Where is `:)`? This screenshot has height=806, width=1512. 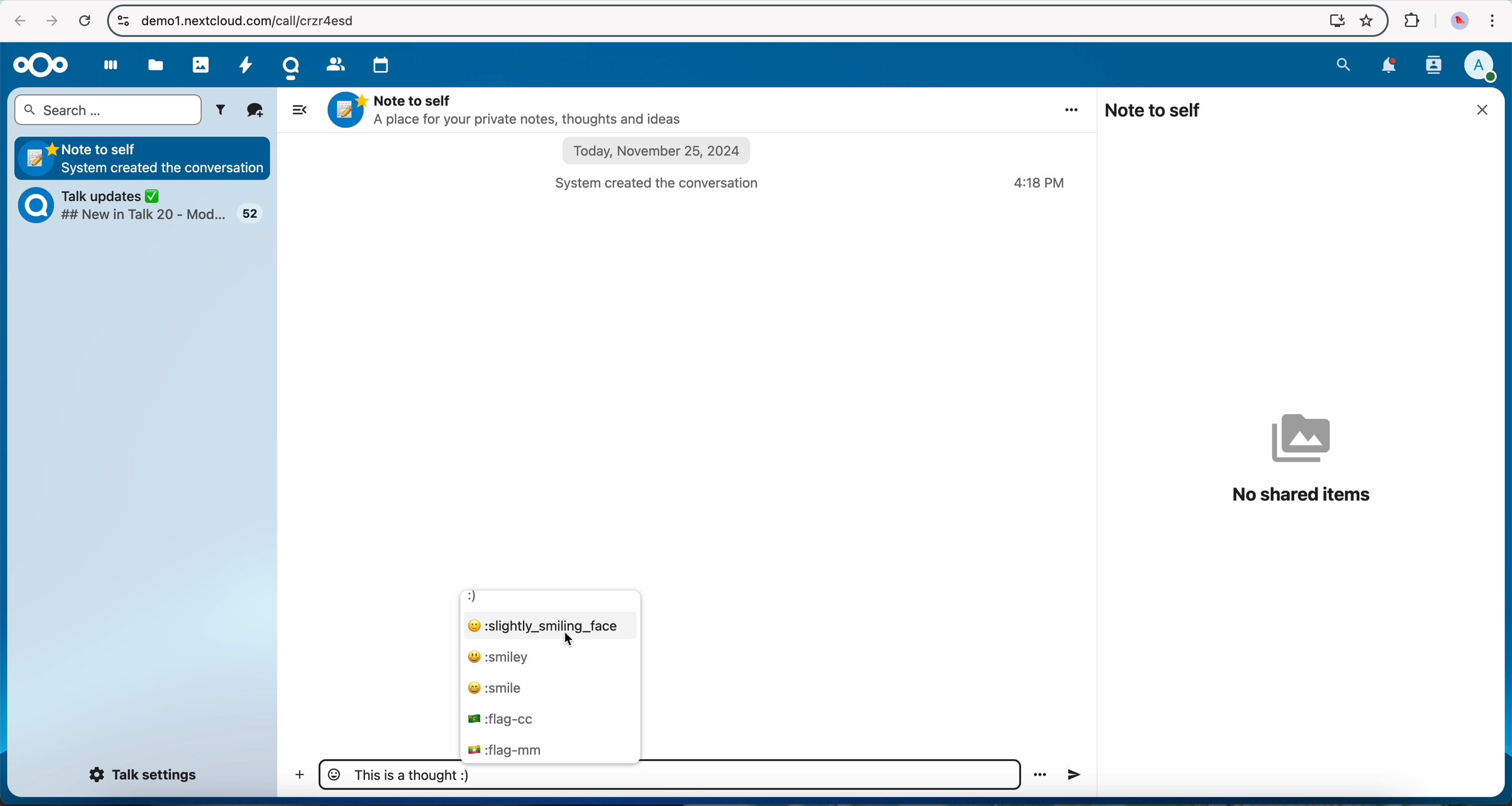
:) is located at coordinates (475, 594).